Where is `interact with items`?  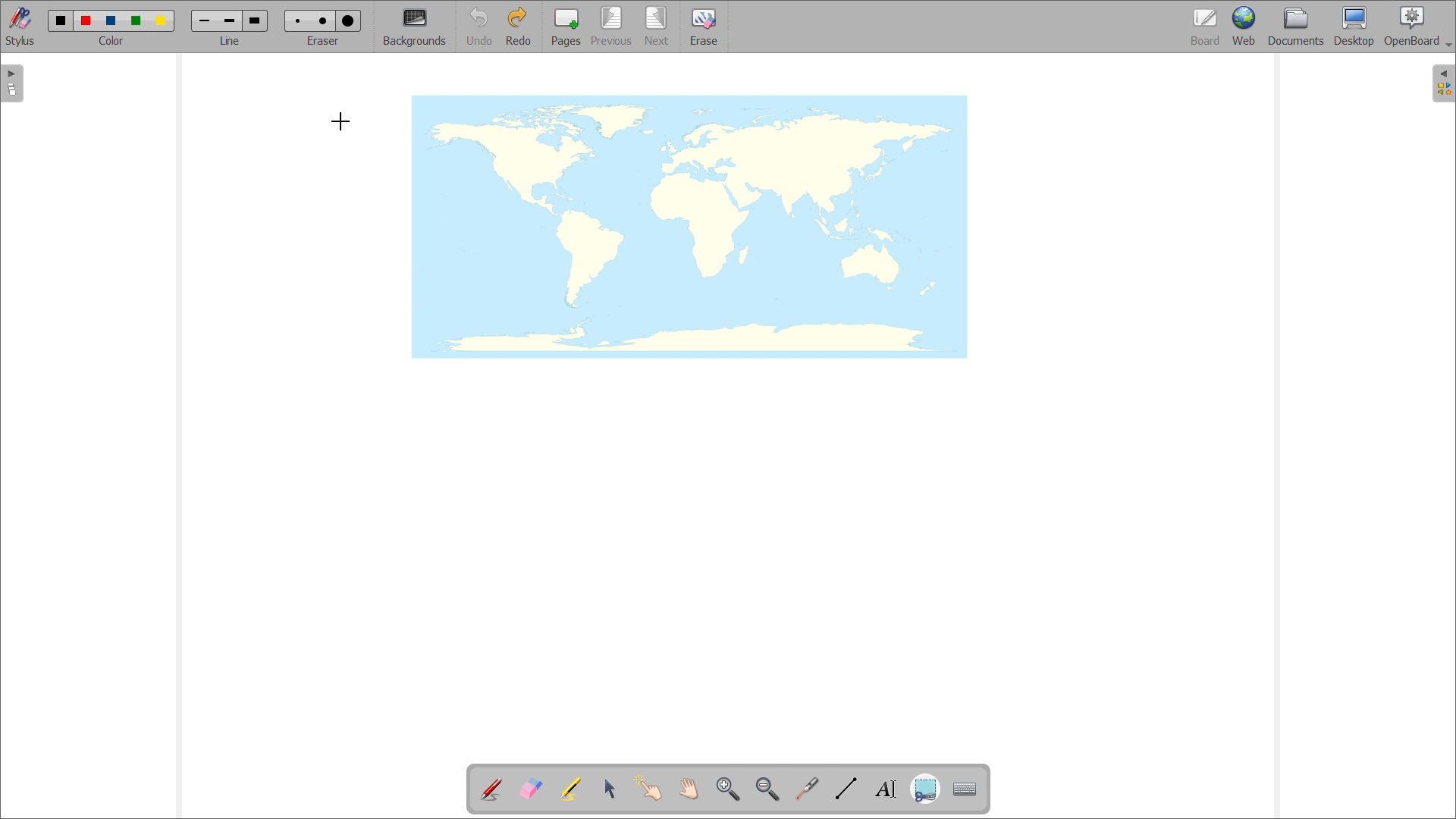 interact with items is located at coordinates (649, 787).